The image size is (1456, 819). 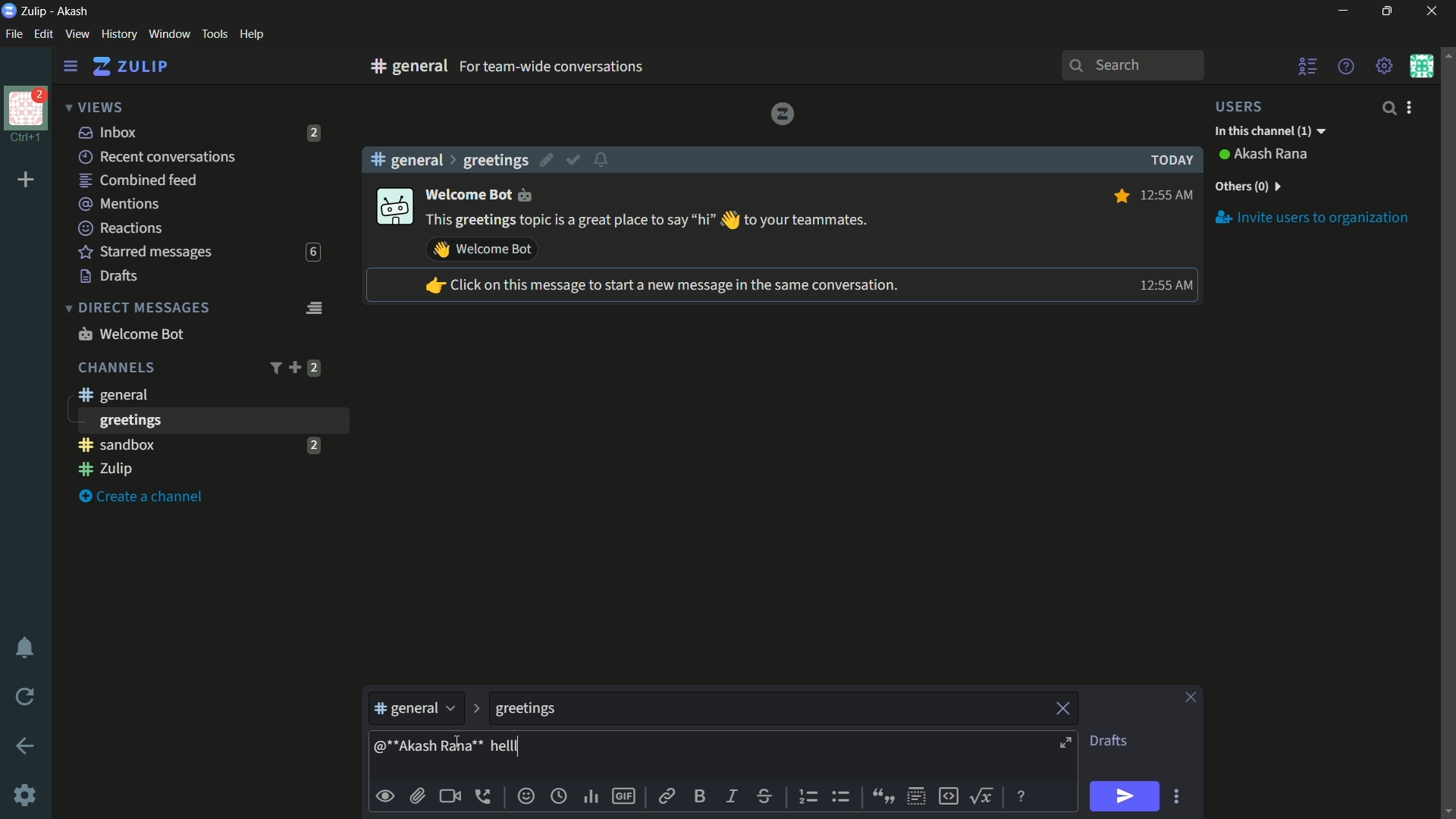 What do you see at coordinates (578, 66) in the screenshot?
I see `# general for team wide conversations` at bounding box center [578, 66].